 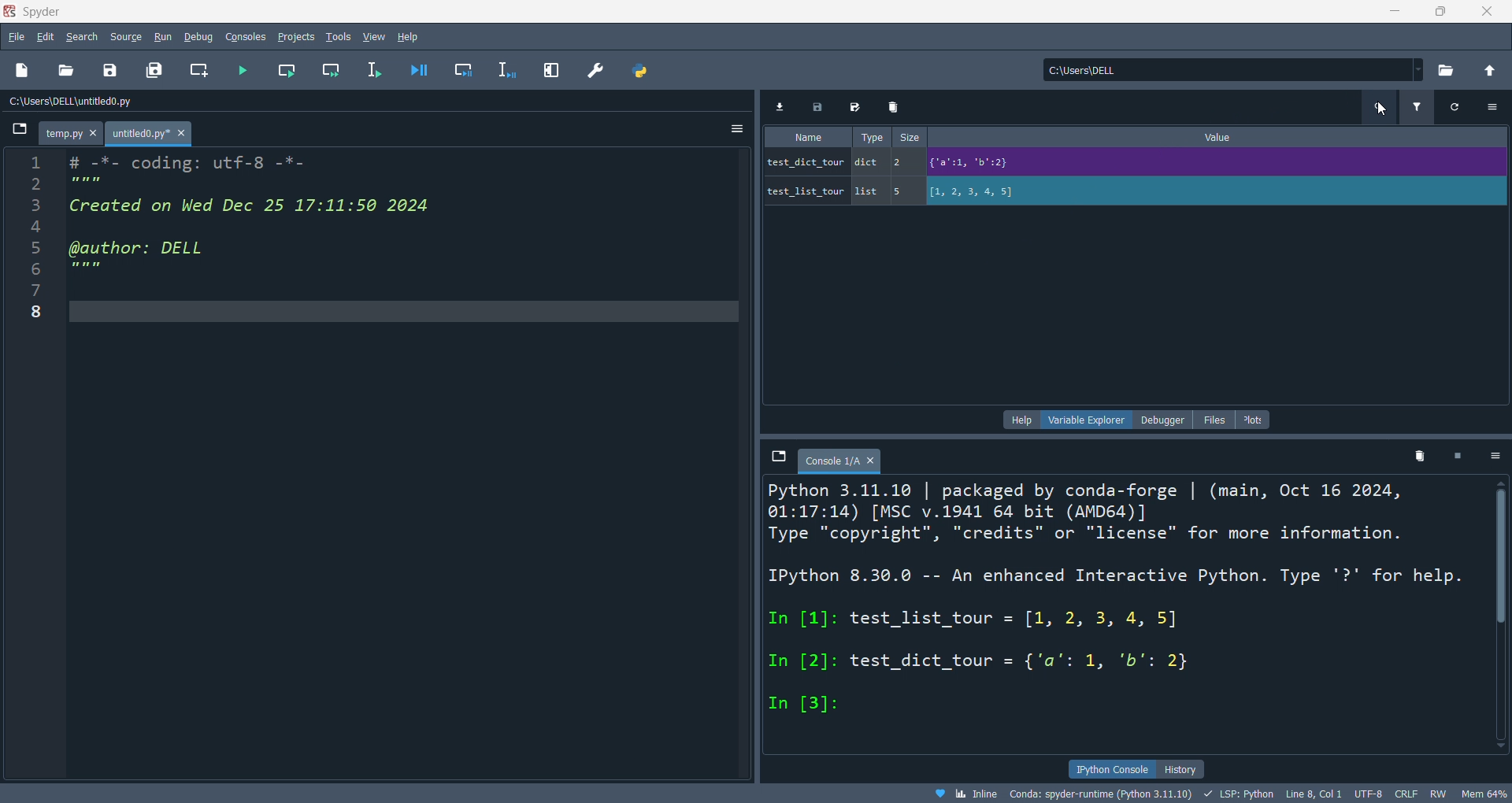 What do you see at coordinates (638, 70) in the screenshot?
I see `python path manager` at bounding box center [638, 70].